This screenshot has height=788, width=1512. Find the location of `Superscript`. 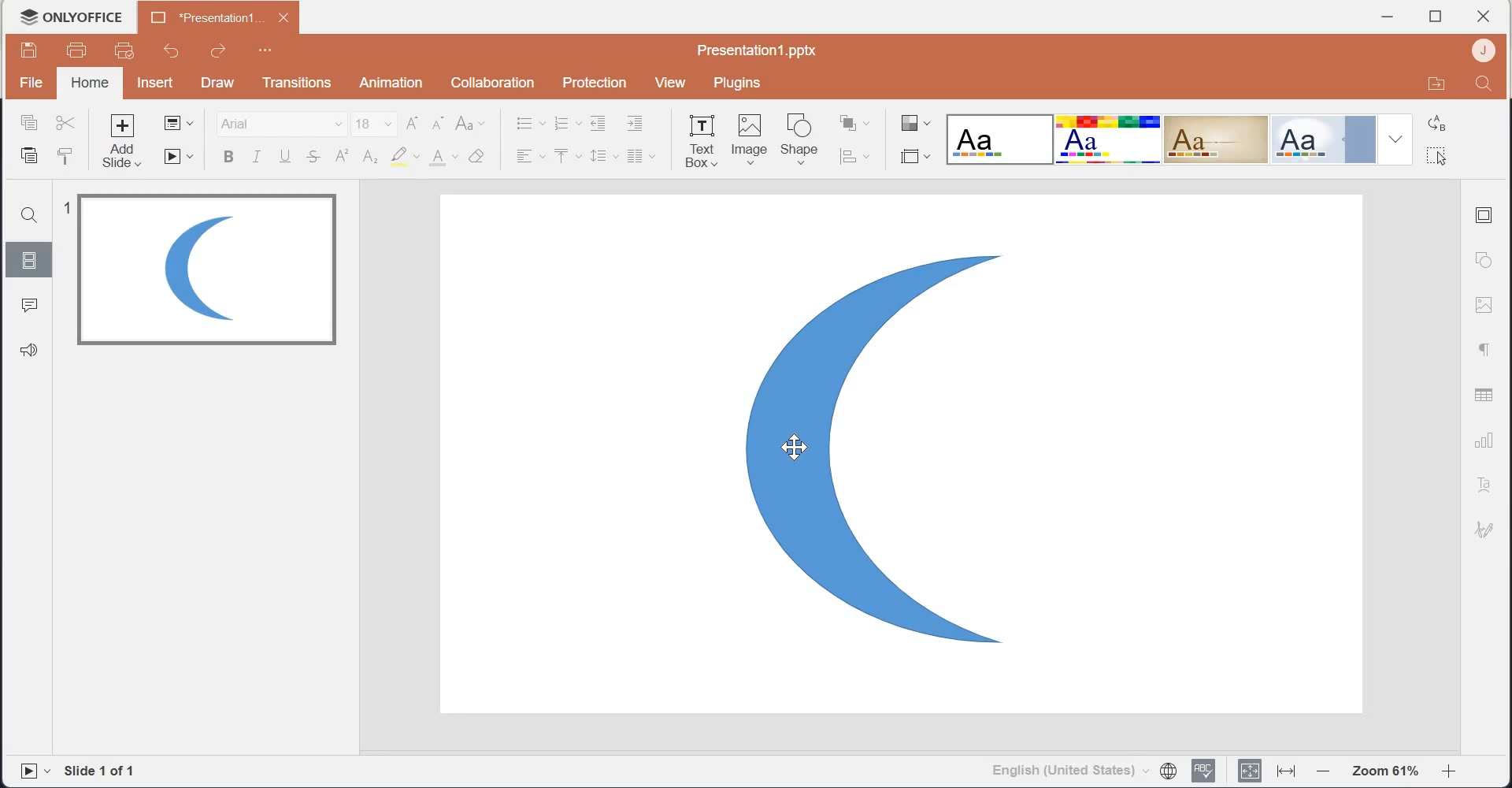

Superscript is located at coordinates (340, 157).